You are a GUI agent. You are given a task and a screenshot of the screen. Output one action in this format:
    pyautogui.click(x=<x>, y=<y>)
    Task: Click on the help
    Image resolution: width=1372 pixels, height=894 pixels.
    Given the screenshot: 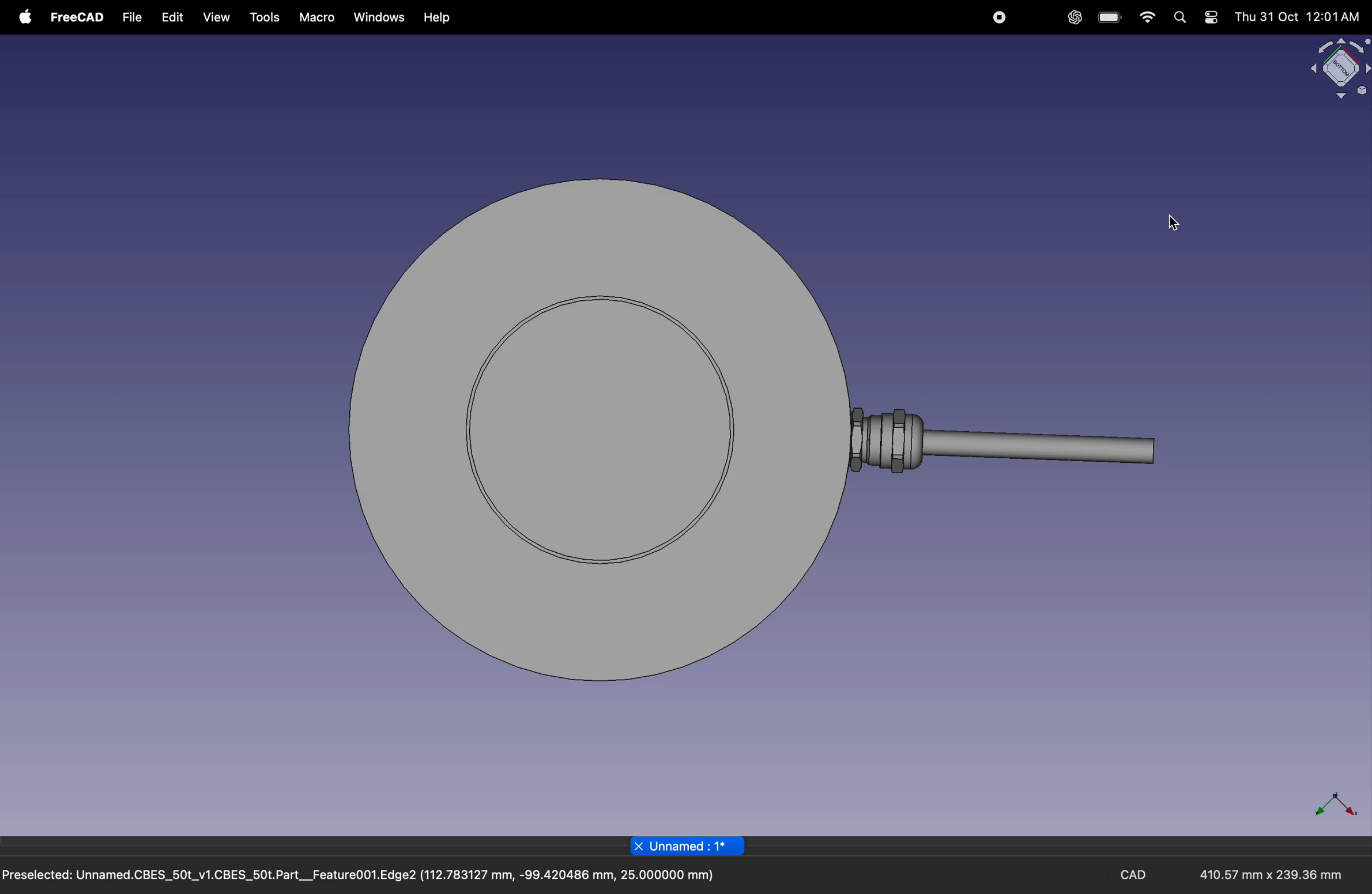 What is the action you would take?
    pyautogui.click(x=434, y=18)
    